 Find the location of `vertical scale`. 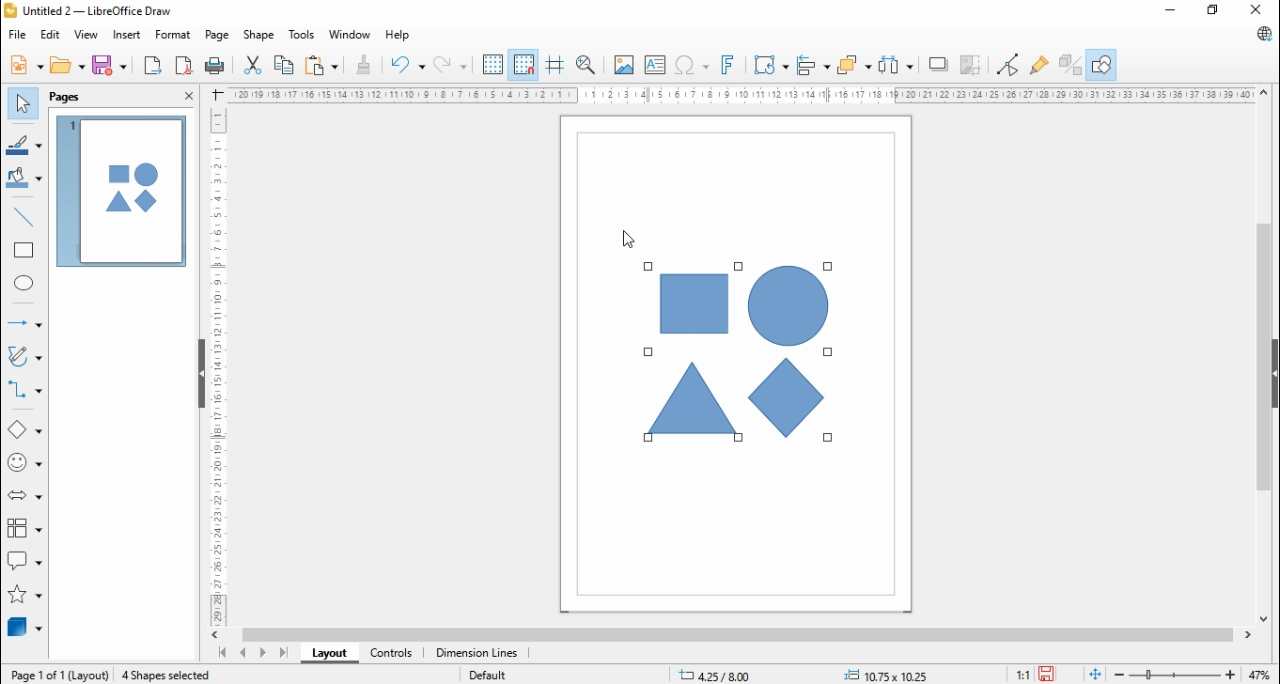

vertical scale is located at coordinates (215, 365).